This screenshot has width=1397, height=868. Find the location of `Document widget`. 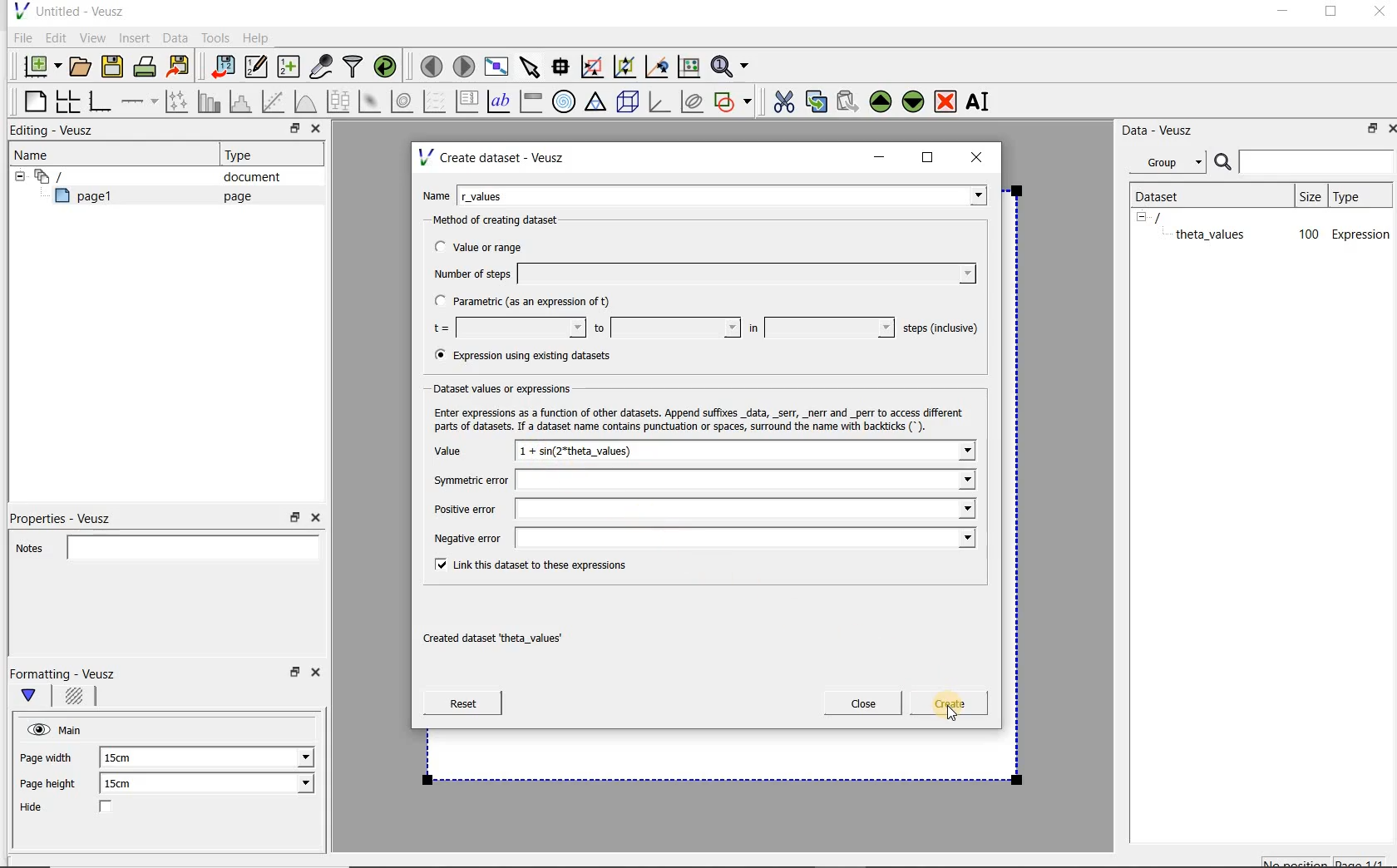

Document widget is located at coordinates (78, 176).